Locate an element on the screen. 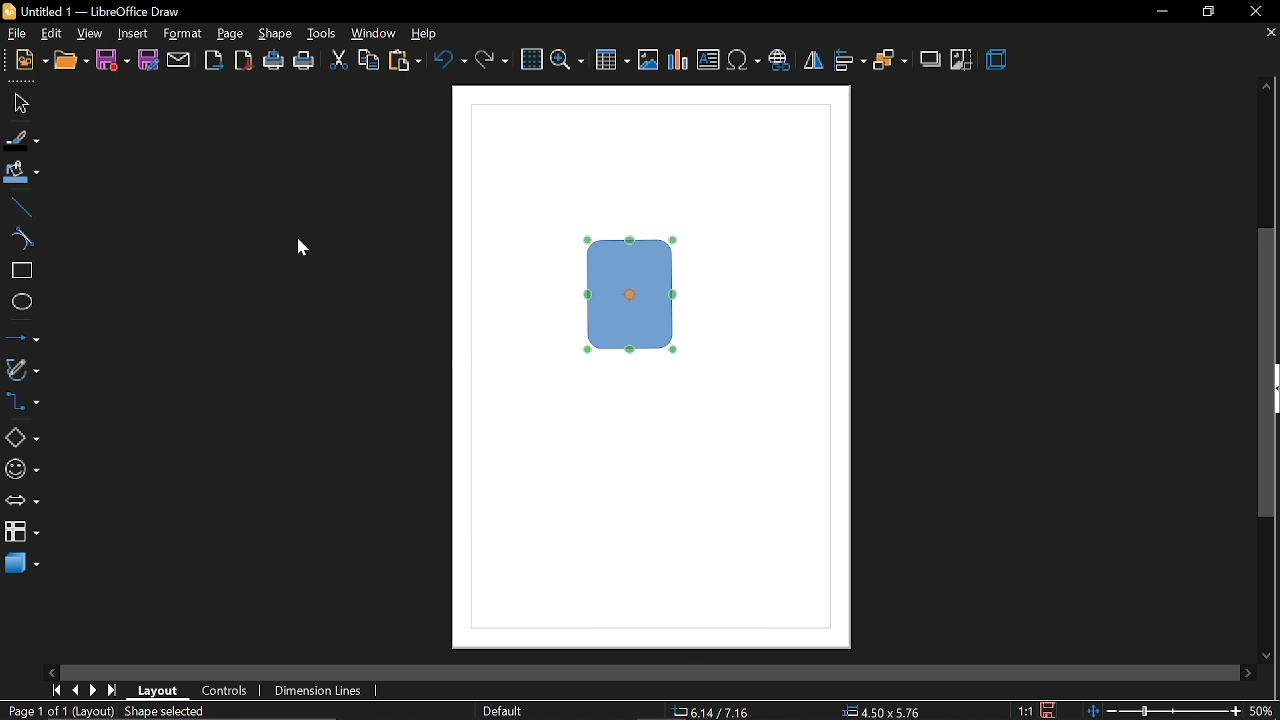 This screenshot has height=720, width=1280. minimize is located at coordinates (1161, 11).